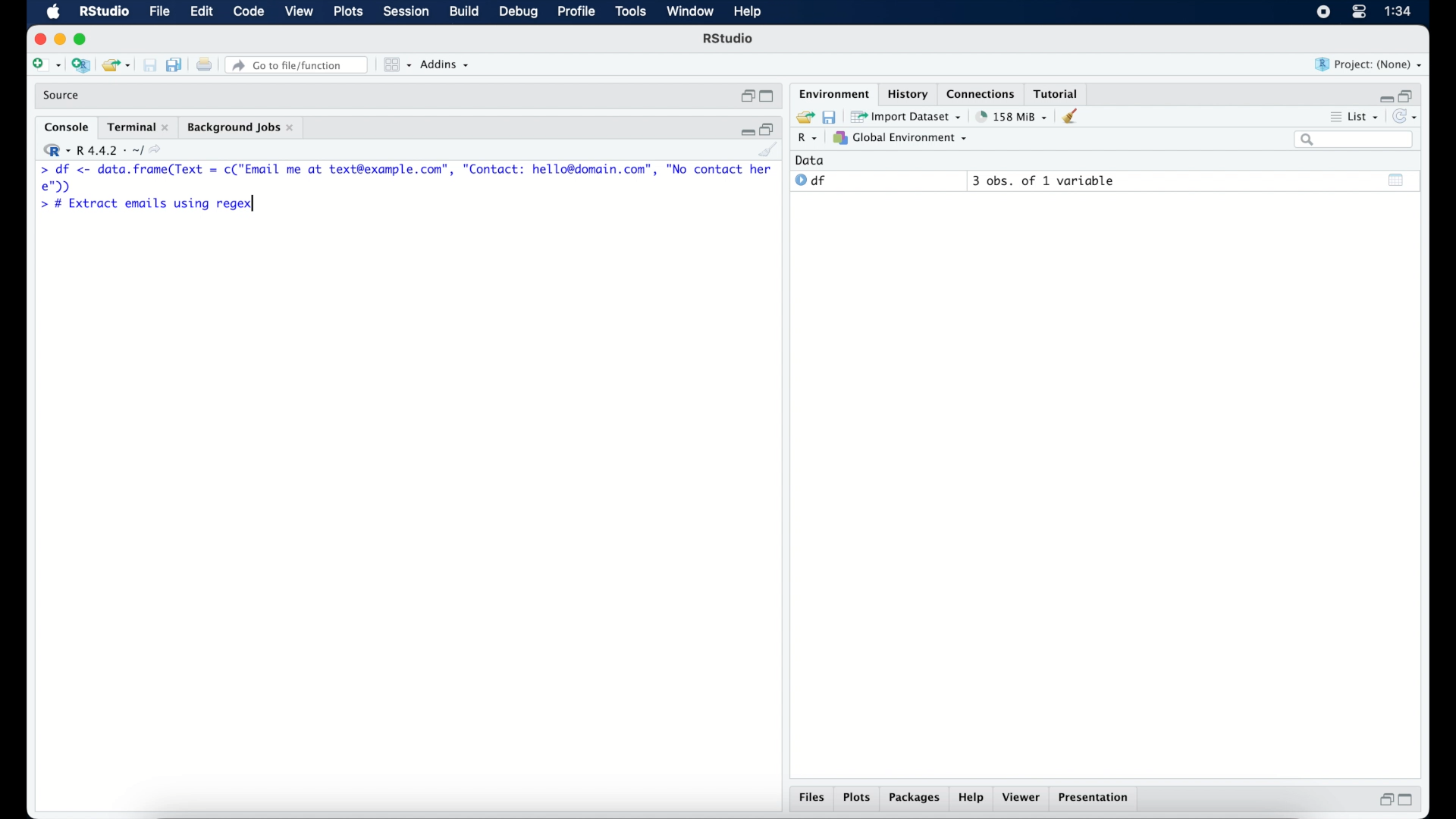  I want to click on R, so click(806, 139).